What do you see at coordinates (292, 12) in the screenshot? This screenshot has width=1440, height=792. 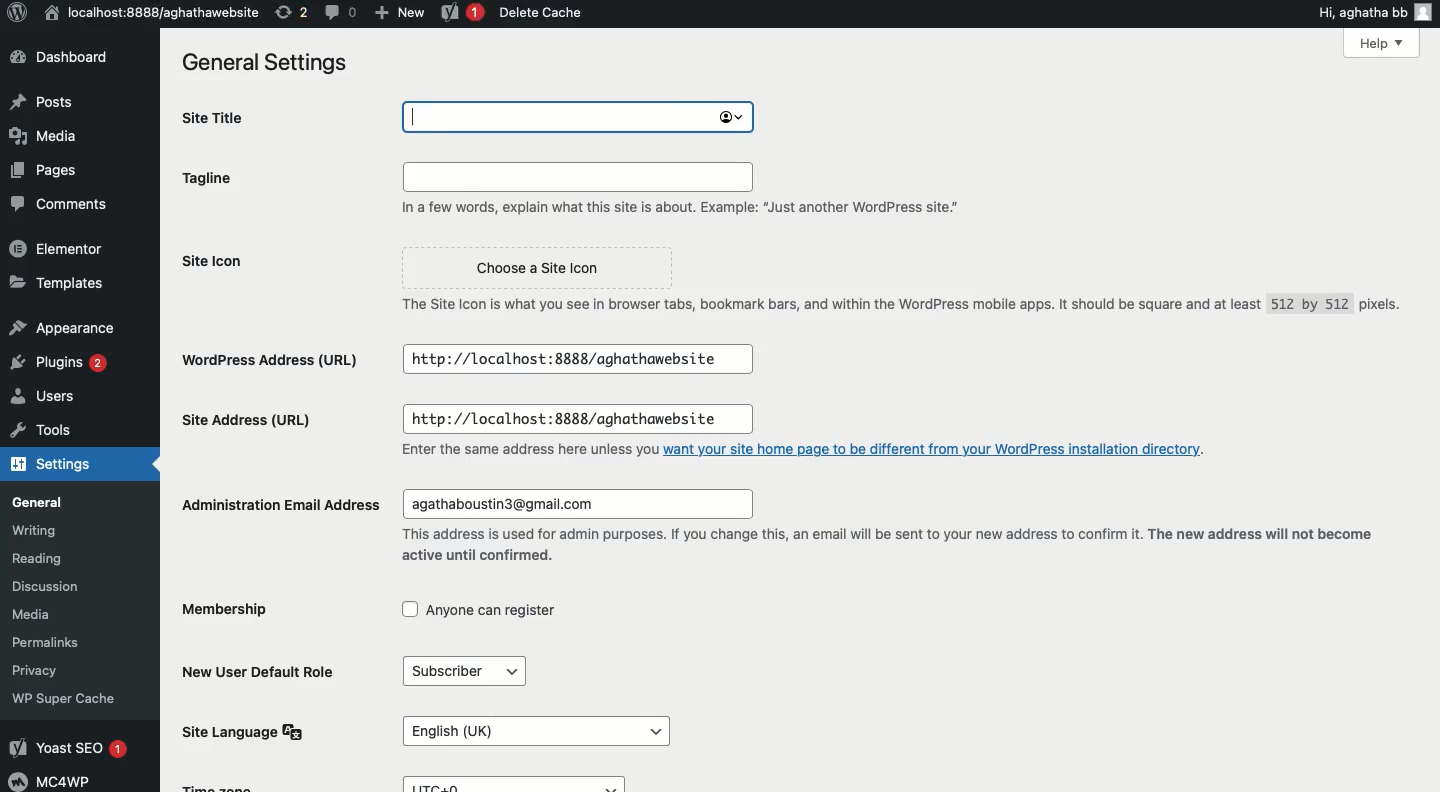 I see `Revision` at bounding box center [292, 12].